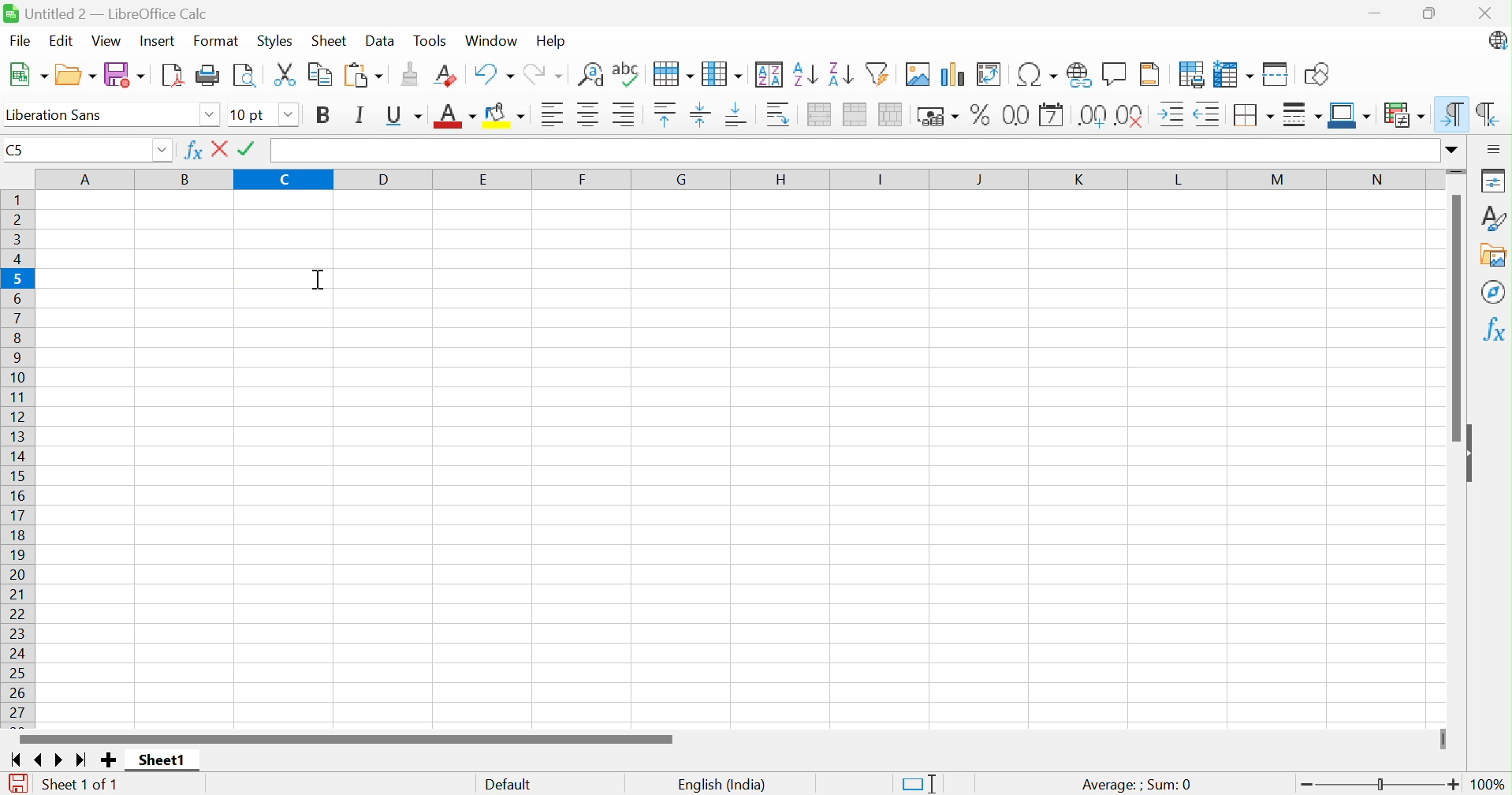 This screenshot has height=795, width=1512. What do you see at coordinates (1078, 73) in the screenshot?
I see `Insert hyperlink` at bounding box center [1078, 73].